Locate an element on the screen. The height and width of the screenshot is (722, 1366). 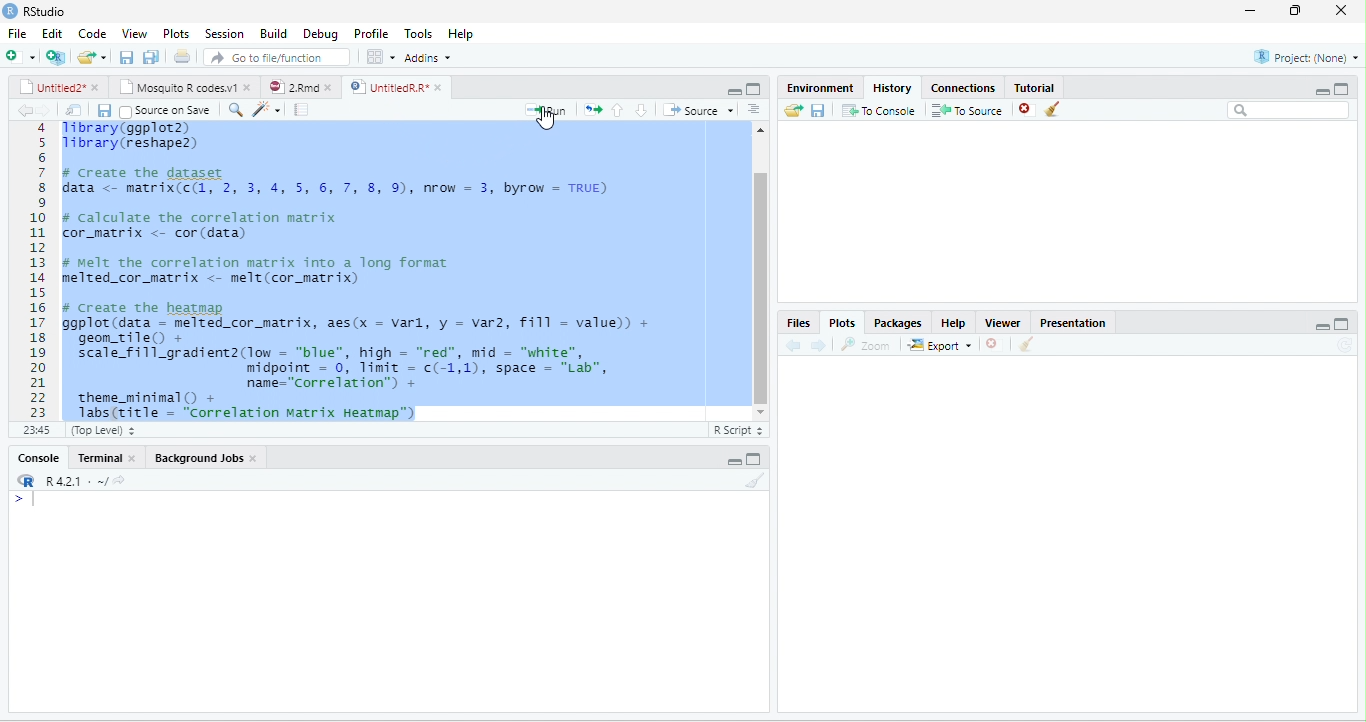
console is located at coordinates (33, 458).